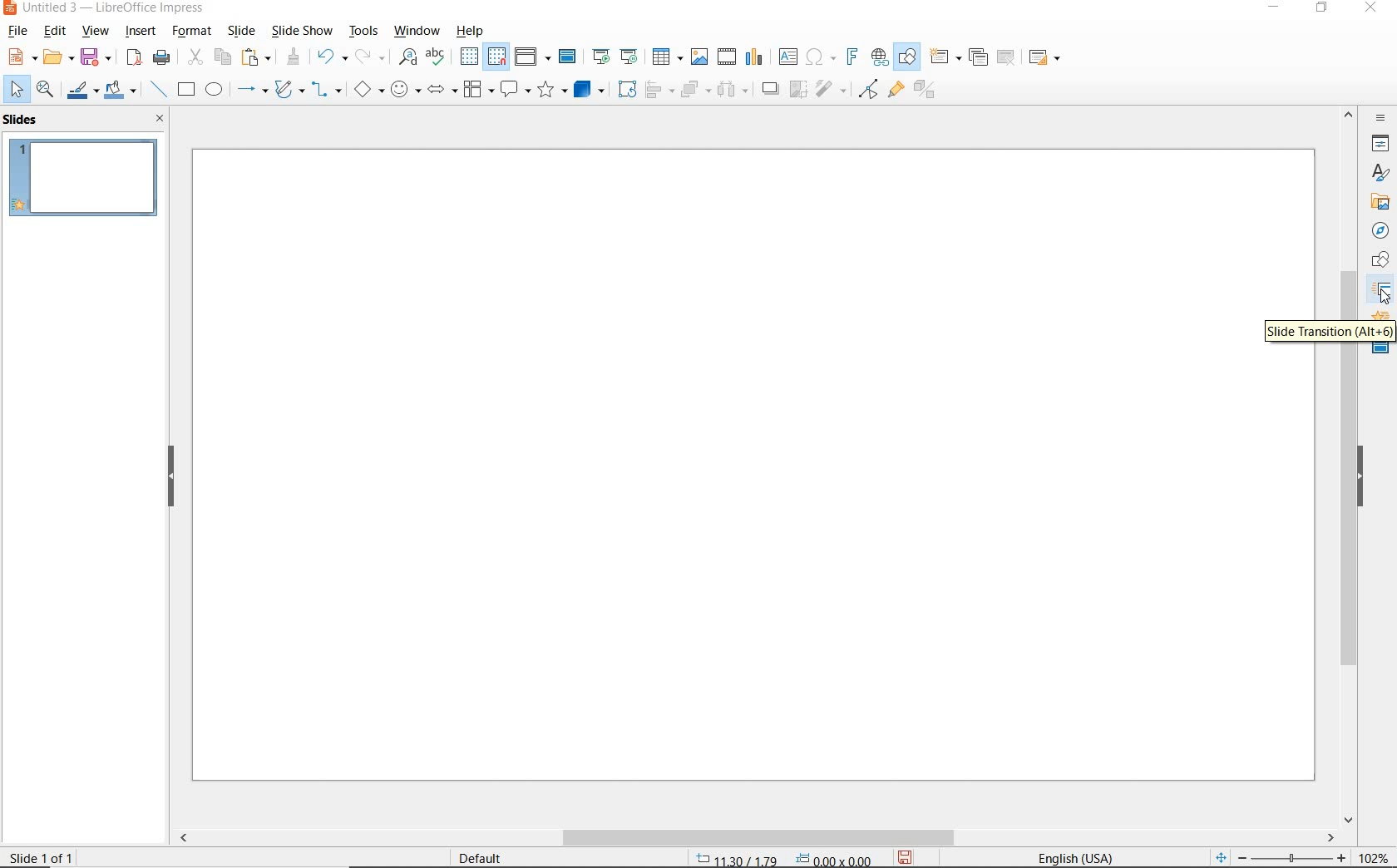 The width and height of the screenshot is (1397, 868). I want to click on TOOLS, so click(363, 31).